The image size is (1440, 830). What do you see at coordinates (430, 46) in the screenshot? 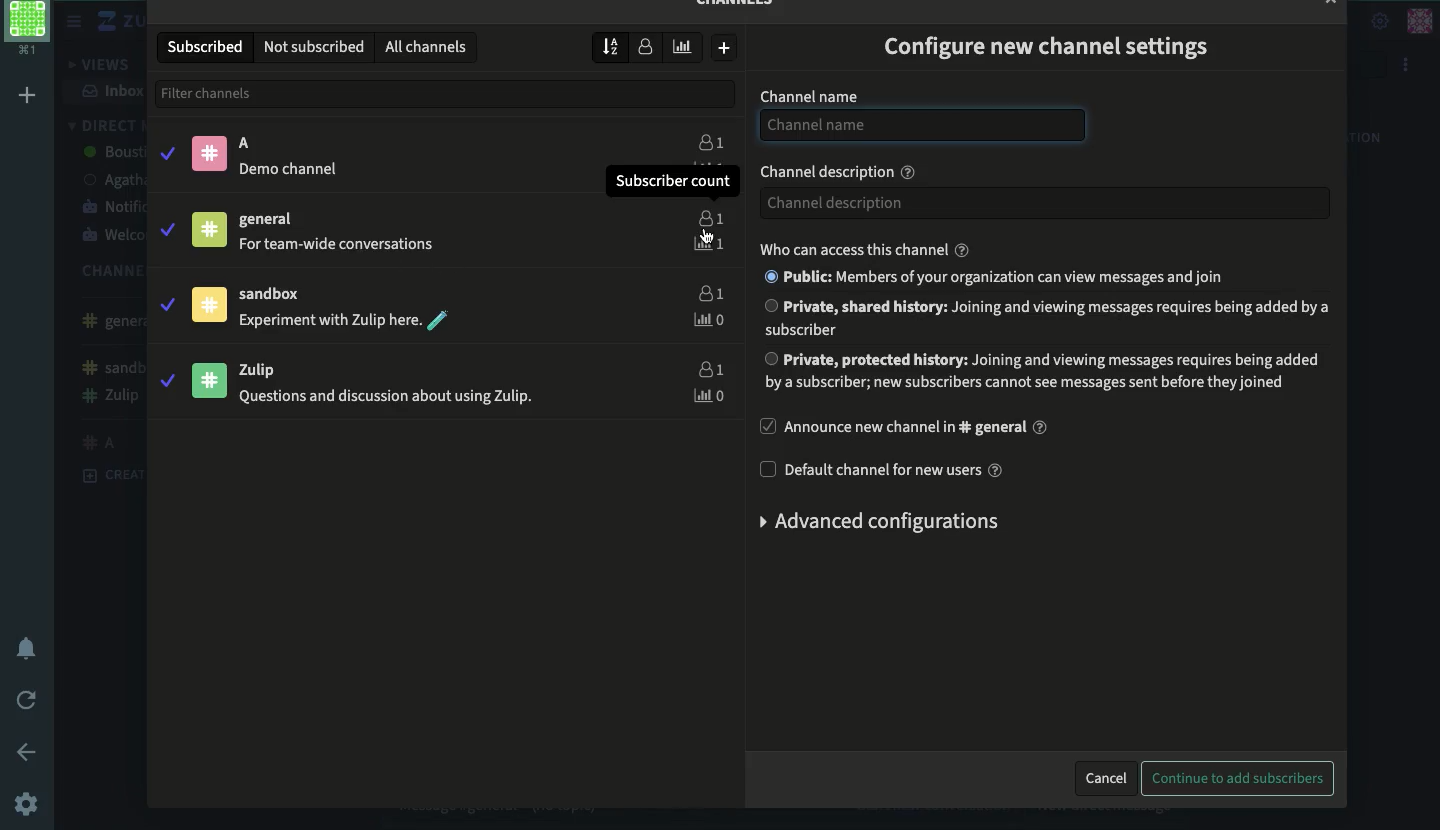
I see `all channels` at bounding box center [430, 46].